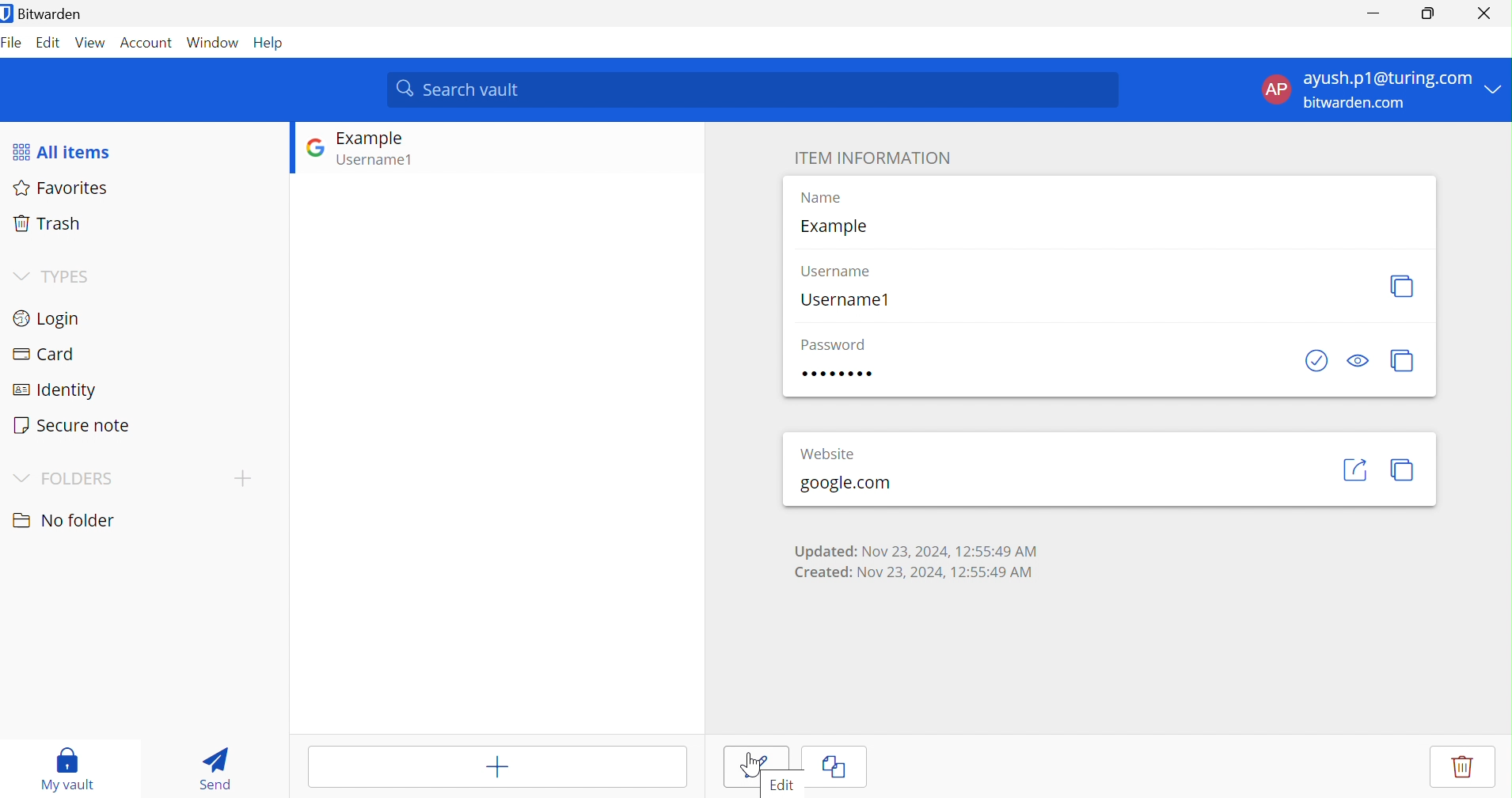  Describe the element at coordinates (213, 42) in the screenshot. I see `Window` at that location.